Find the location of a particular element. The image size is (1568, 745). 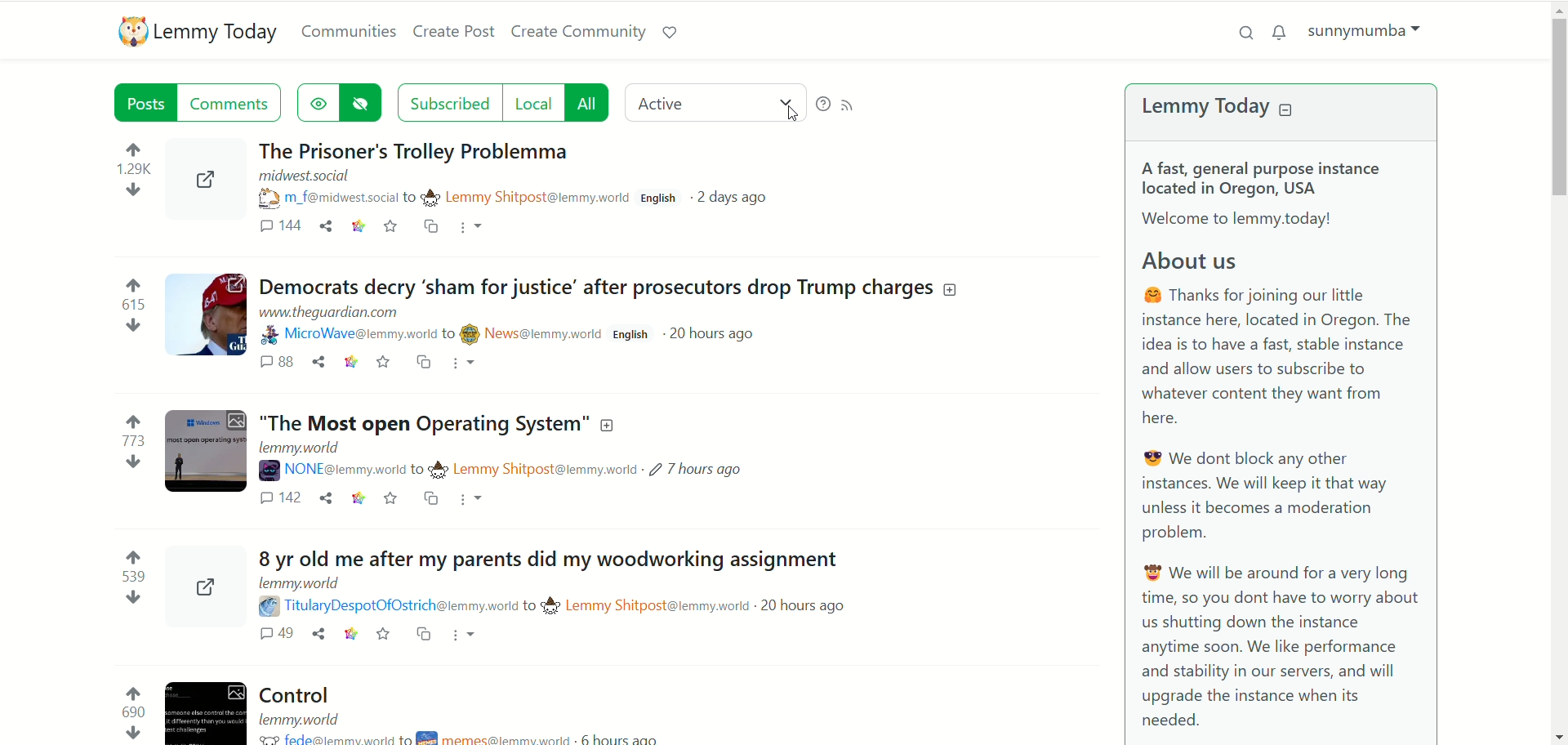

sunnymumba(account) is located at coordinates (1361, 29).